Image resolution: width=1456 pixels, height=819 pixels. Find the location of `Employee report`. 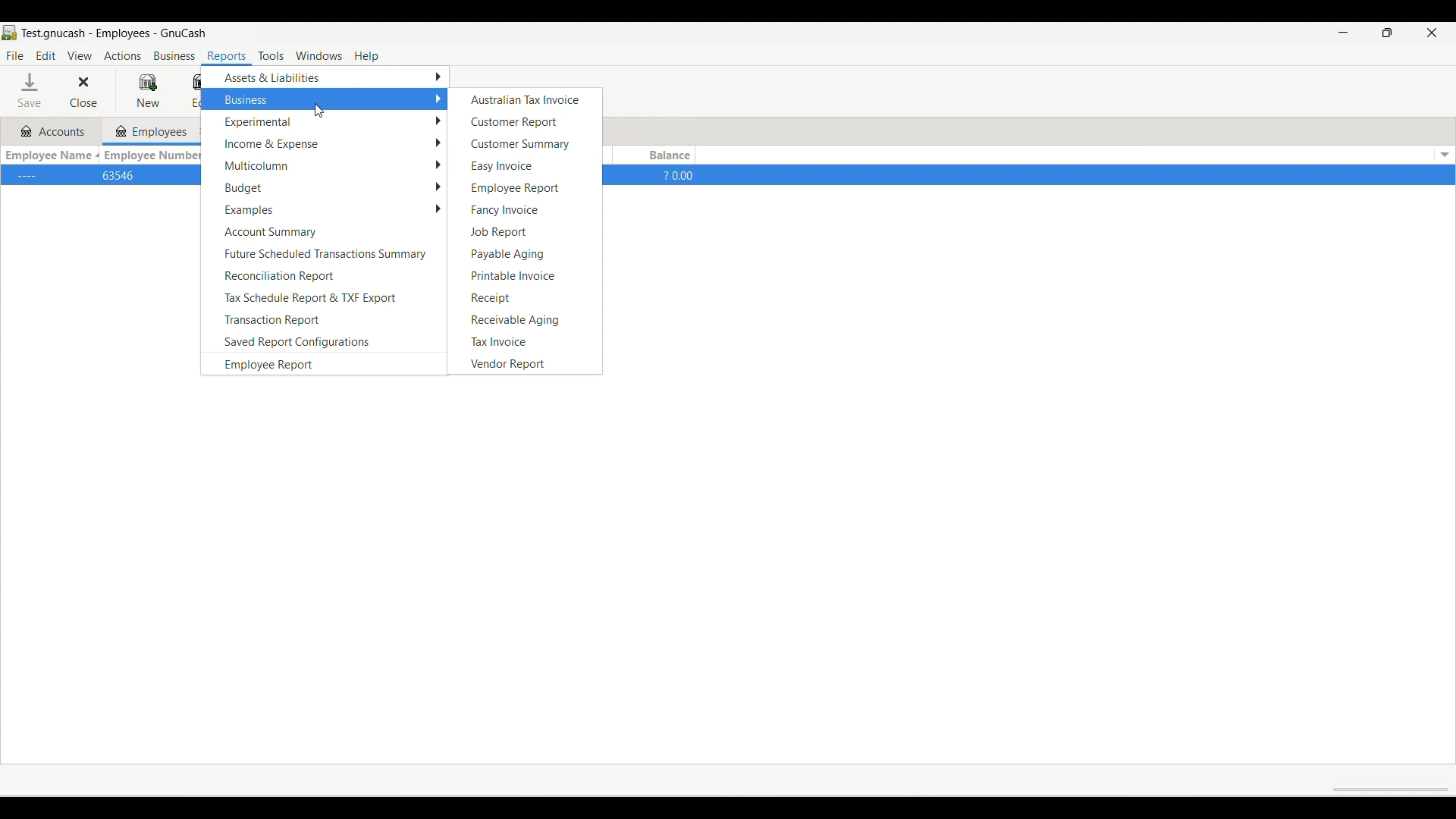

Employee report is located at coordinates (323, 364).